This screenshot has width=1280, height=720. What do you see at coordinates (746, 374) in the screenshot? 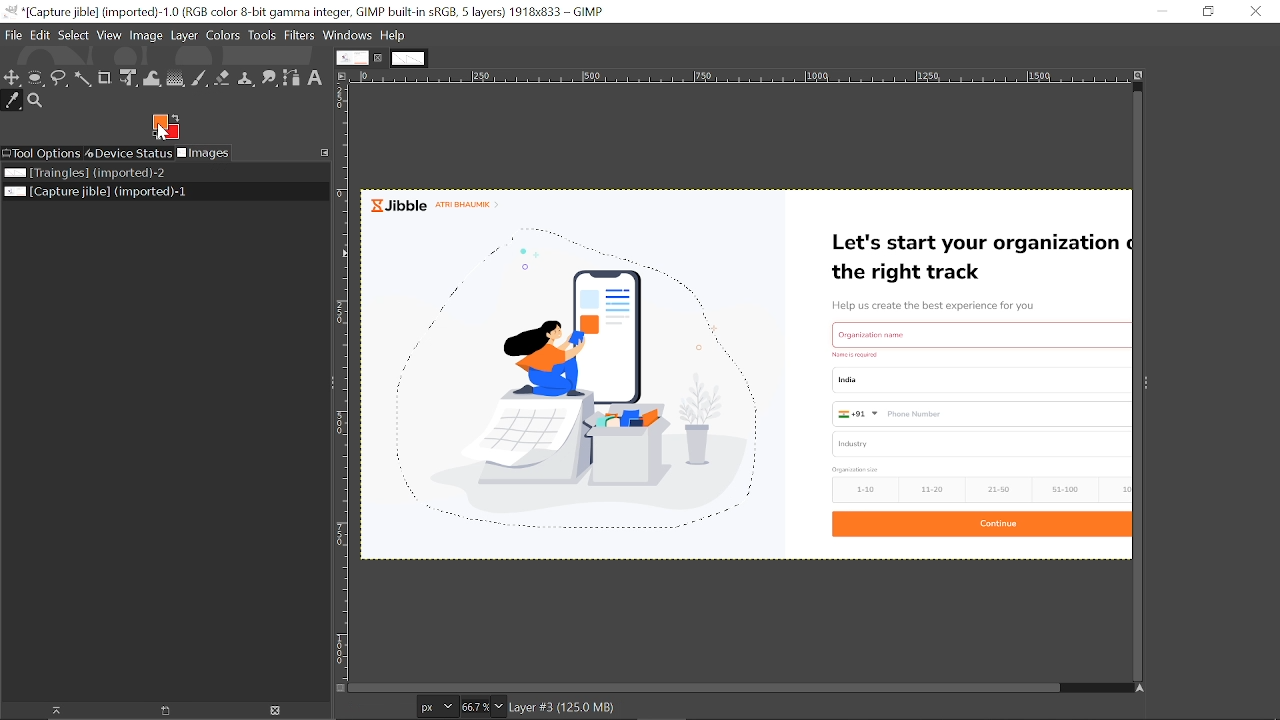
I see `Current image` at bounding box center [746, 374].